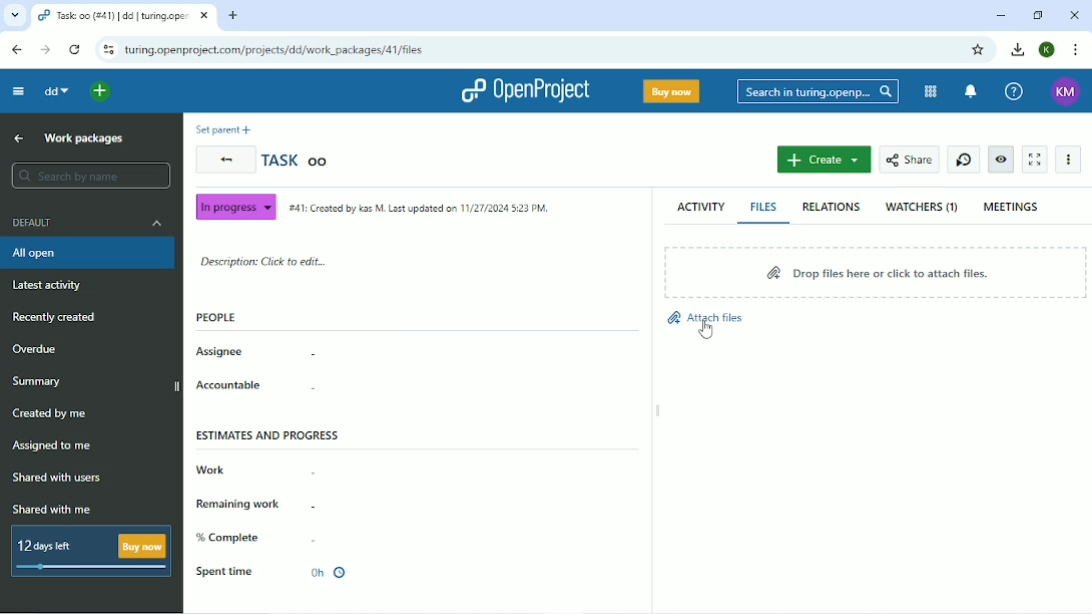  I want to click on Buy now, so click(670, 91).